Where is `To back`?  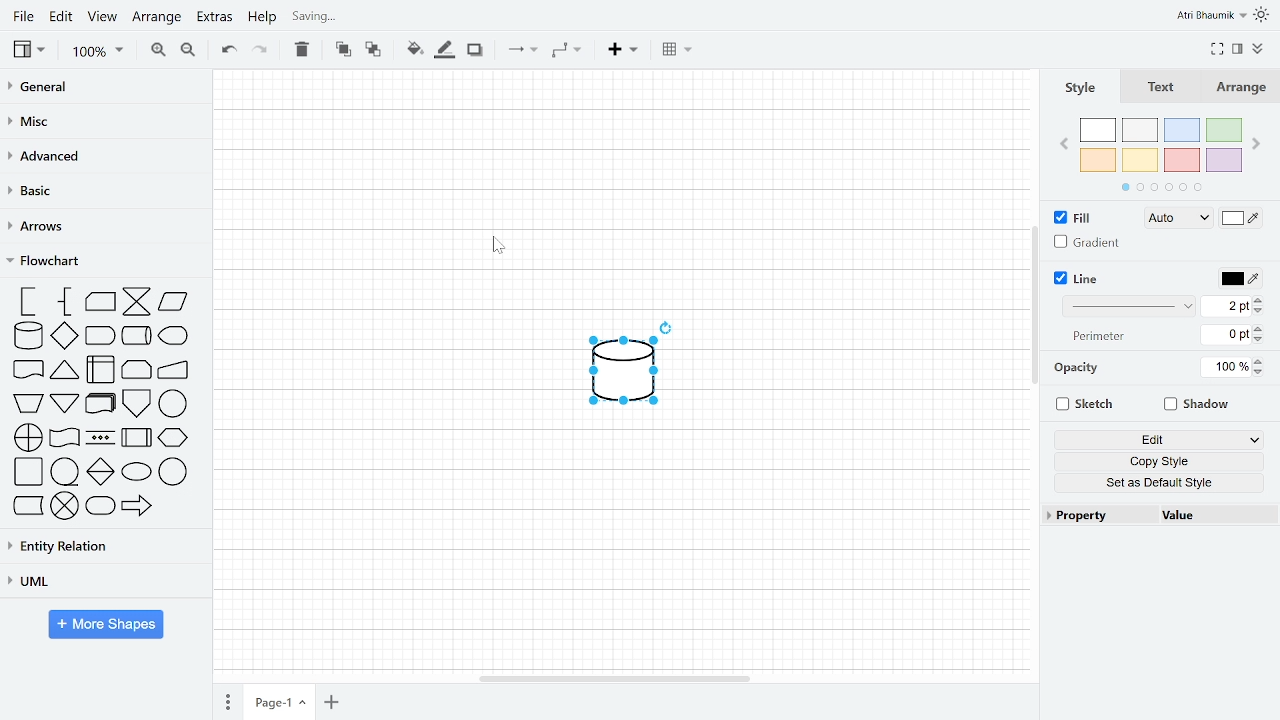 To back is located at coordinates (374, 51).